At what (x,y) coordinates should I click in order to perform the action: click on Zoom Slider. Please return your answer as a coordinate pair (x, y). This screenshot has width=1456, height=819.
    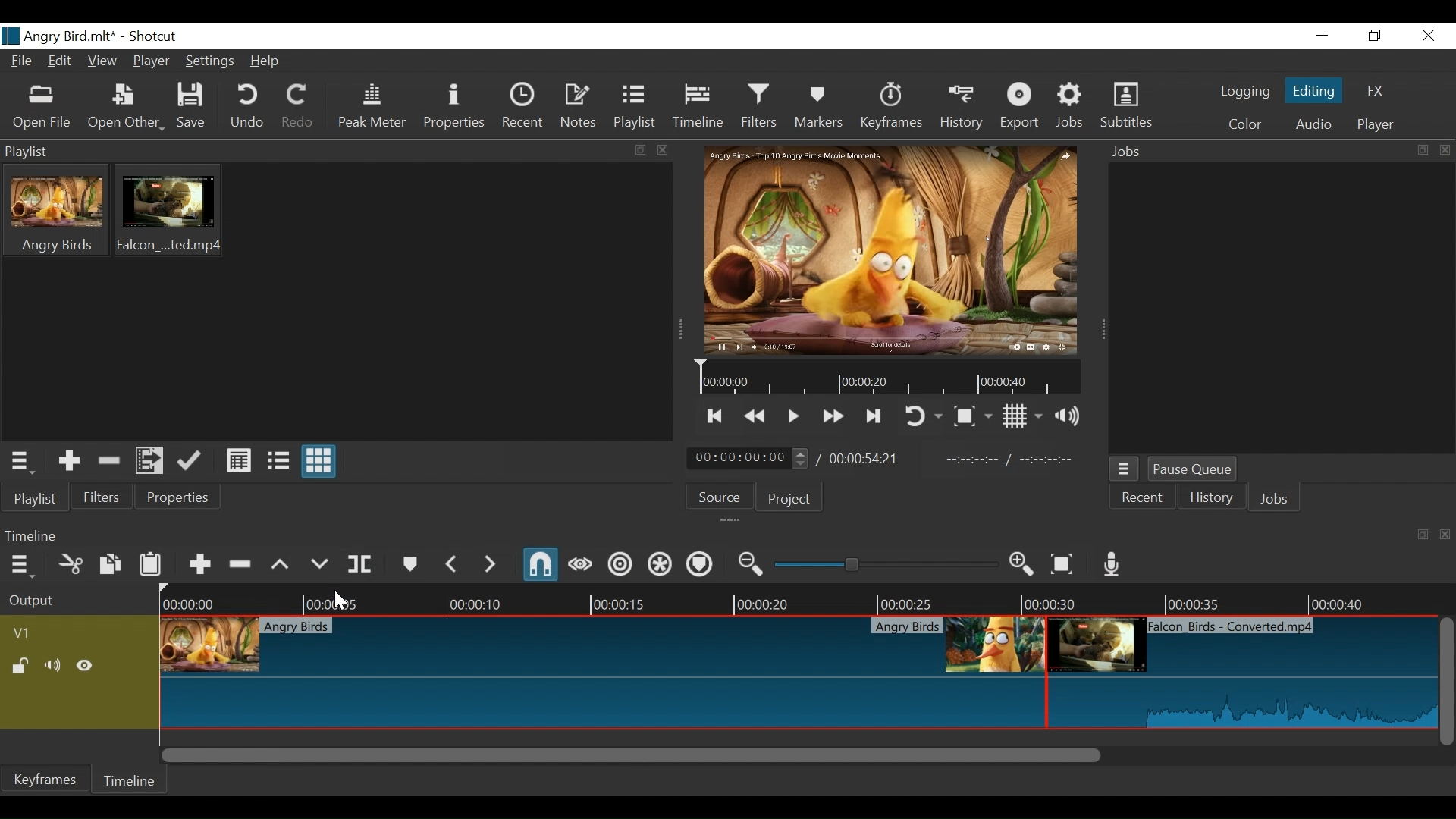
    Looking at the image, I should click on (888, 564).